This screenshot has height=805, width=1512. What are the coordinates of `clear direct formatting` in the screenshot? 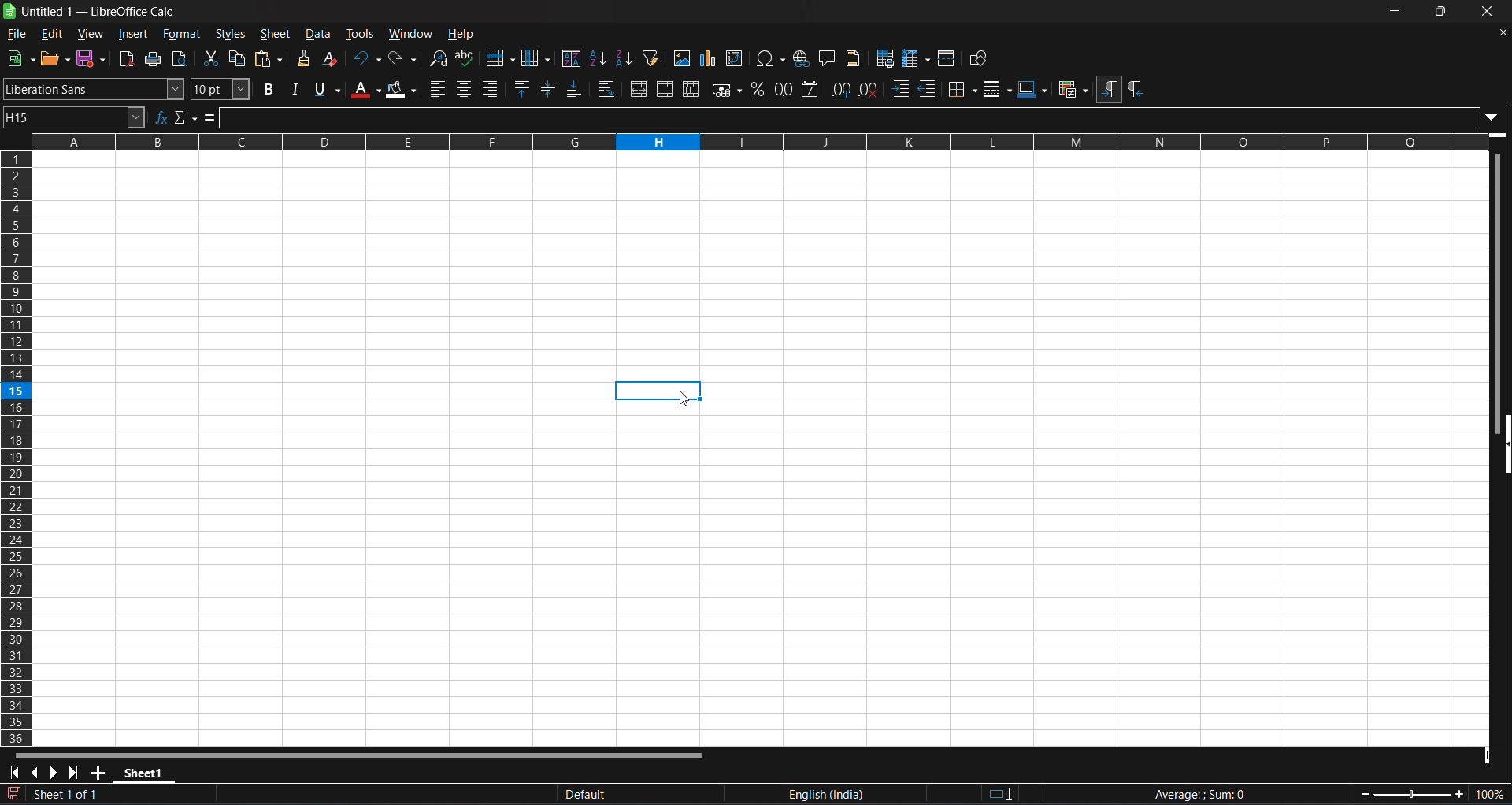 It's located at (332, 59).